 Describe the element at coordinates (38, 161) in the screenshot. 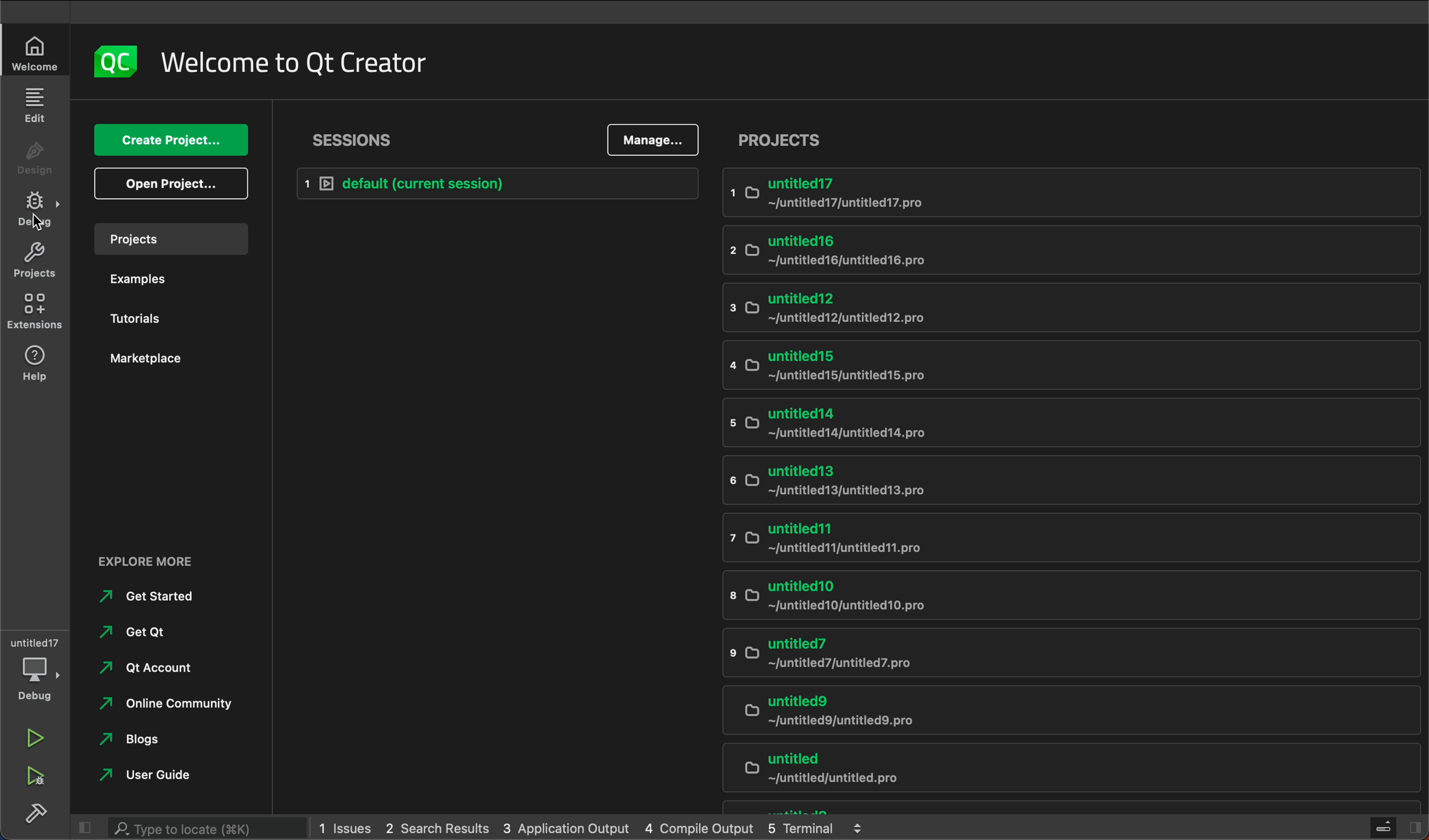

I see `DESIGN` at that location.